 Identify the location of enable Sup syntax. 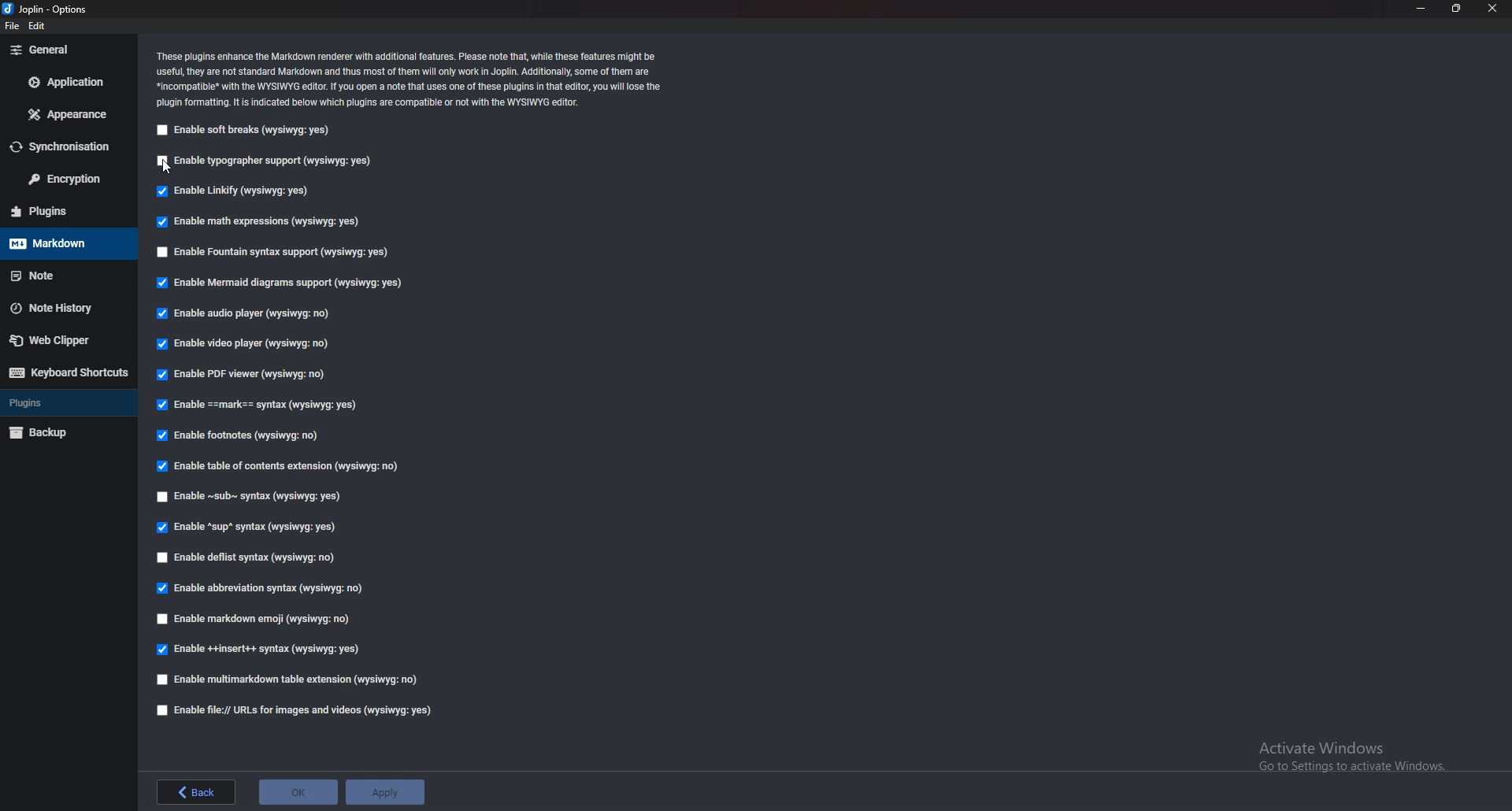
(244, 526).